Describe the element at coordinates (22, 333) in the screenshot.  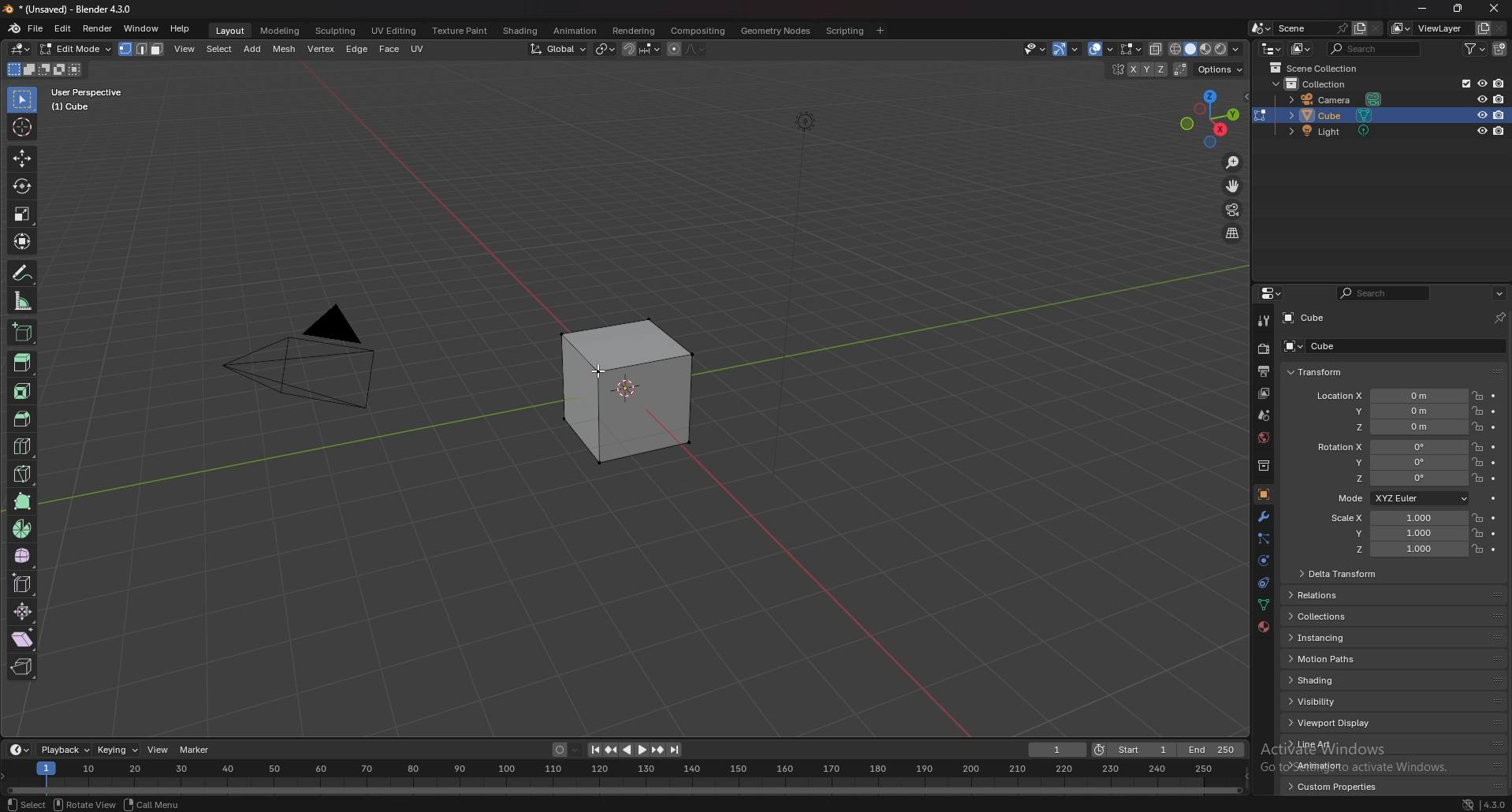
I see `add cube` at that location.